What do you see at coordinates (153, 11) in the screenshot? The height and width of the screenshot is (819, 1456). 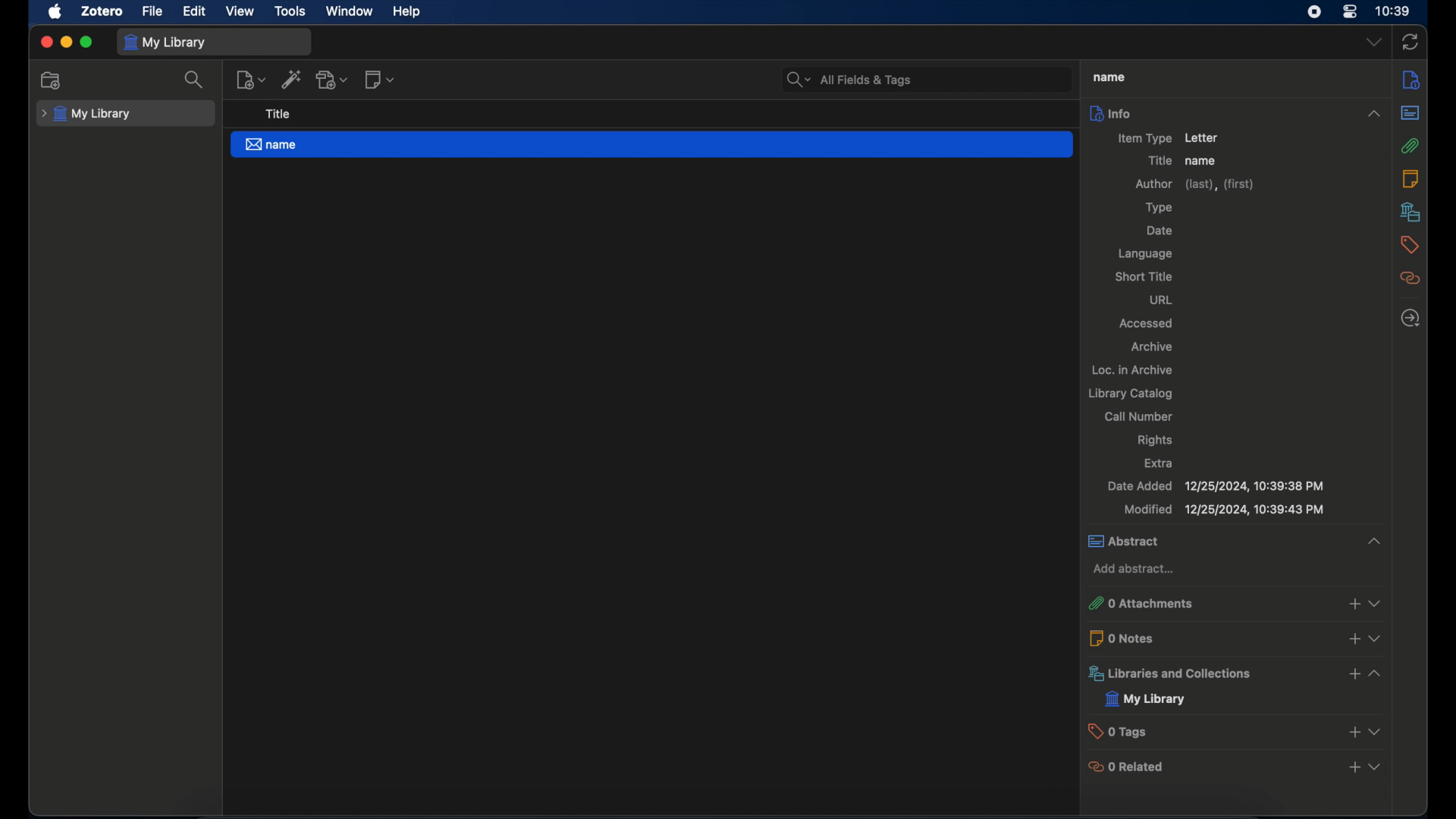 I see `file` at bounding box center [153, 11].